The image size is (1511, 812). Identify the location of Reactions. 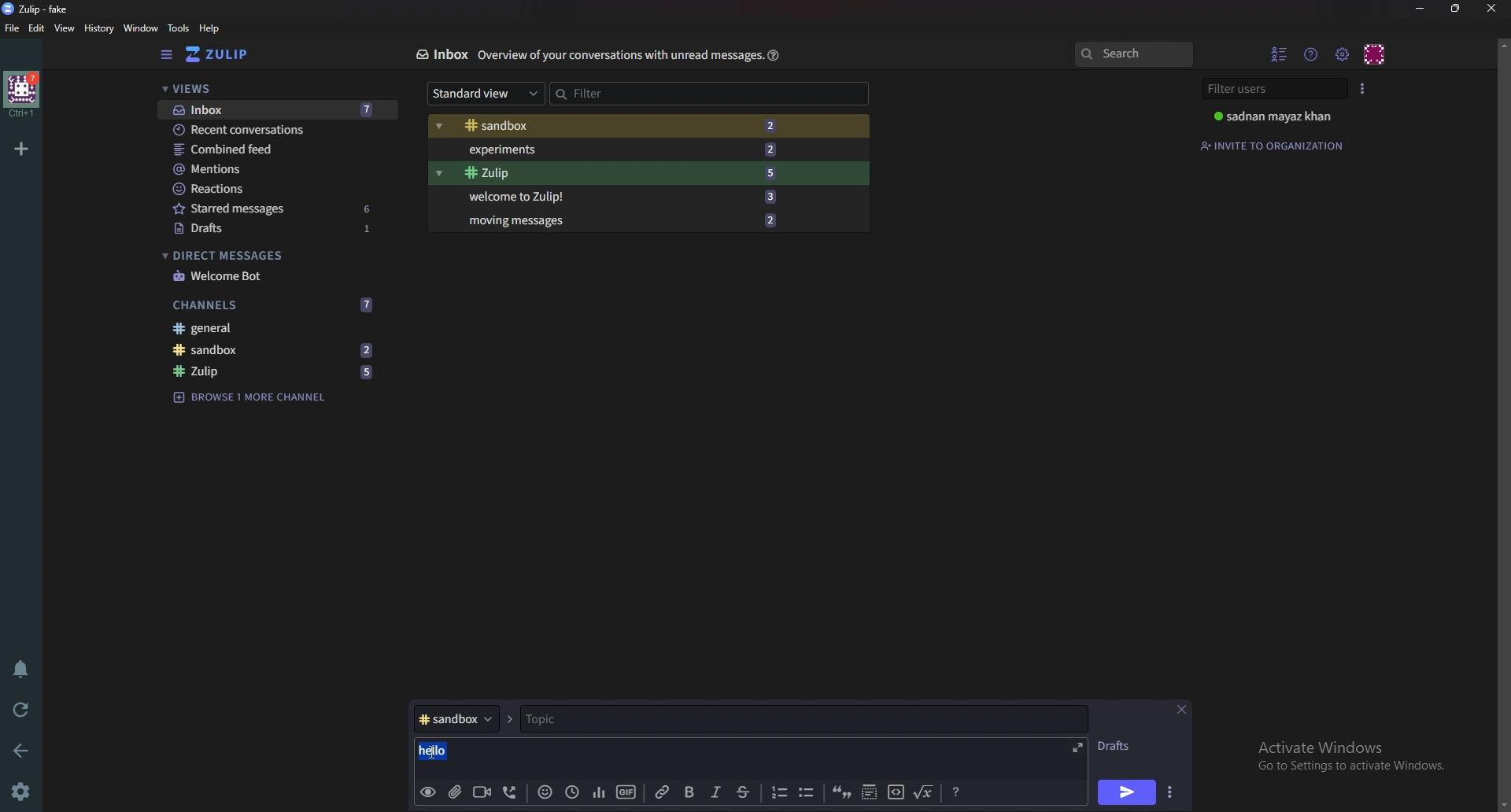
(272, 189).